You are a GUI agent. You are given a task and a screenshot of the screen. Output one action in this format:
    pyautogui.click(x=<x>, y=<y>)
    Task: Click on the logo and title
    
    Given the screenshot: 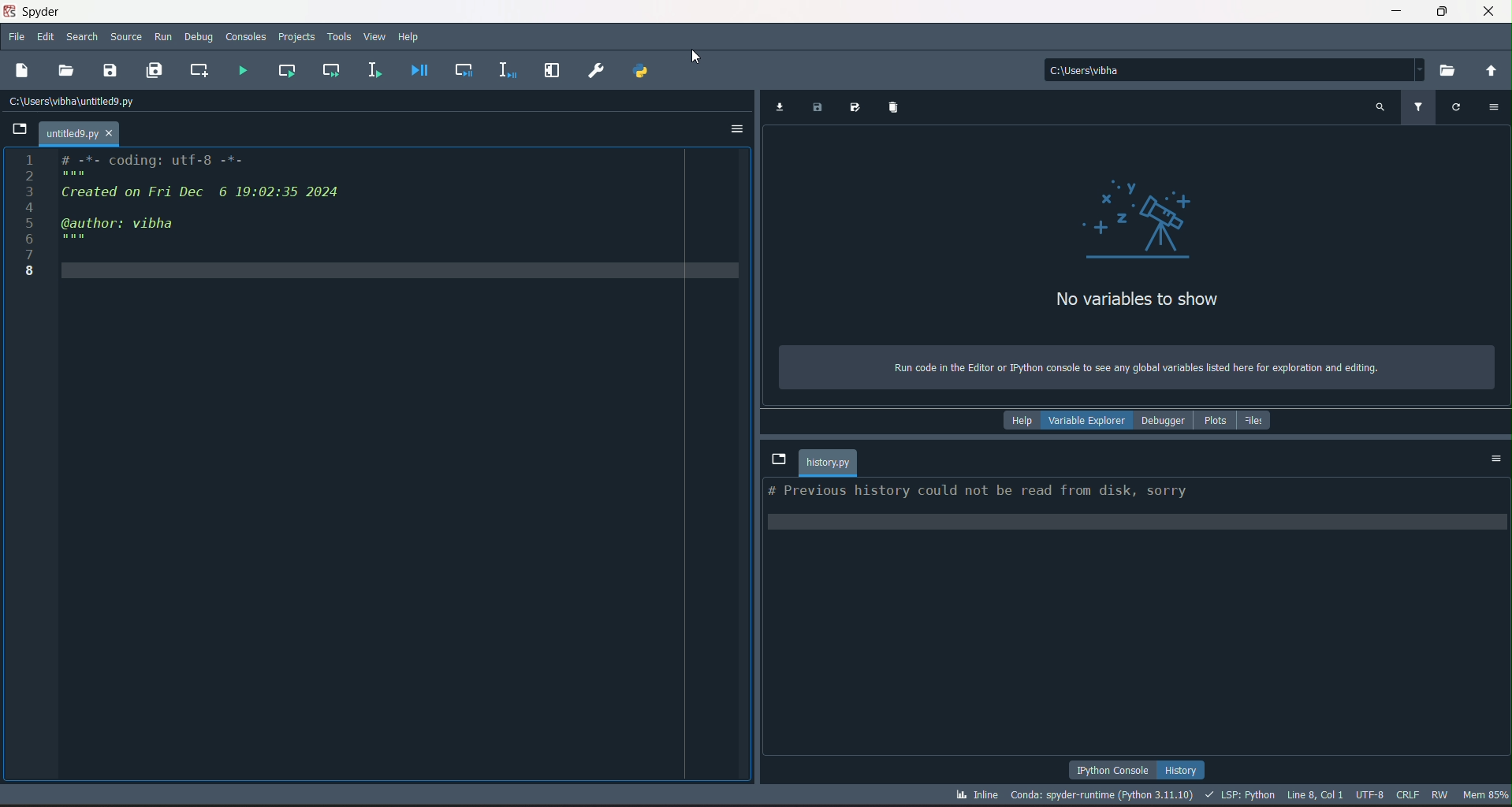 What is the action you would take?
    pyautogui.click(x=35, y=12)
    